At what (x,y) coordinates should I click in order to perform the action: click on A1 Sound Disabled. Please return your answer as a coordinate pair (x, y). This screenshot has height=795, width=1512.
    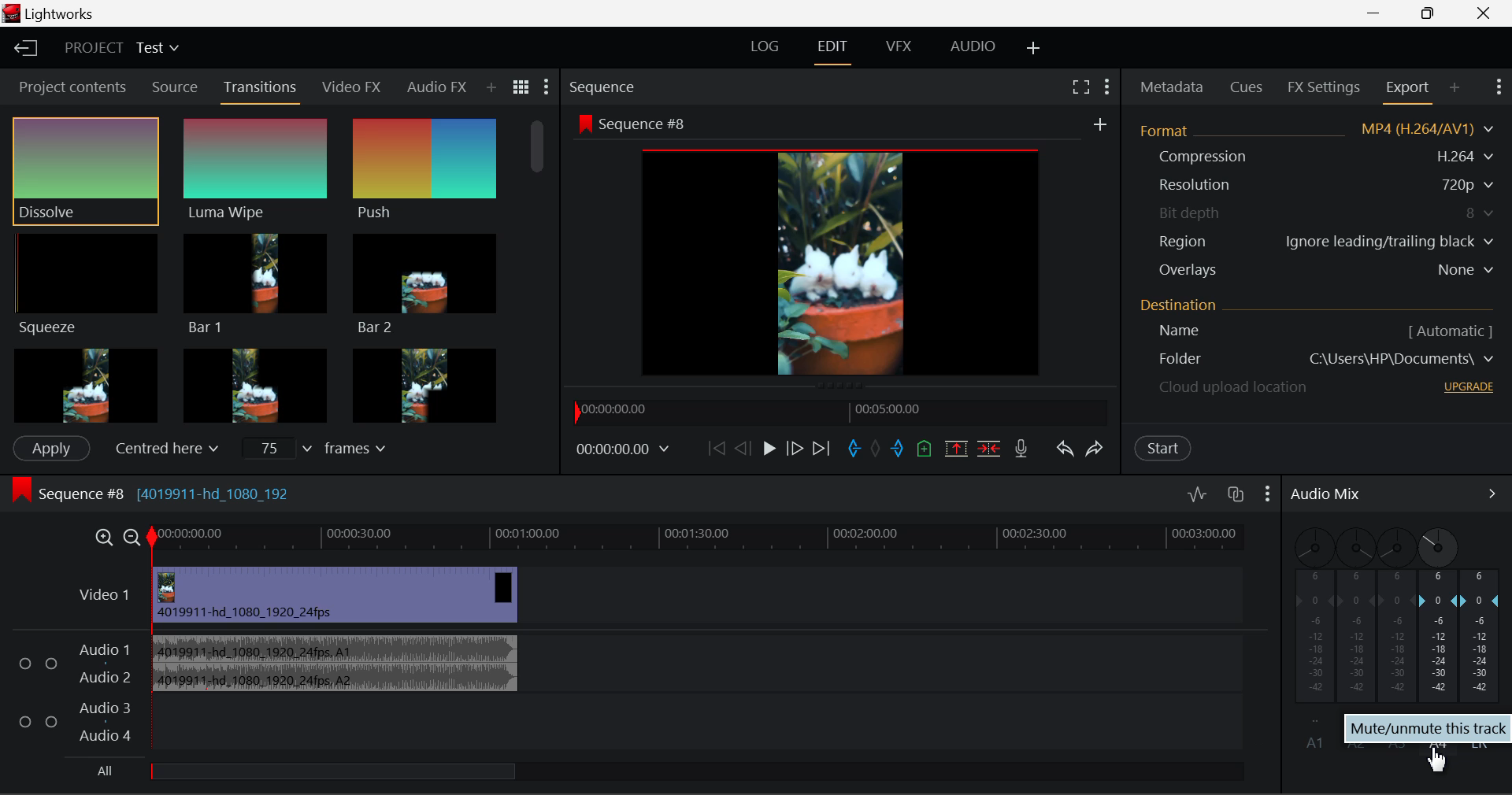
    Looking at the image, I should click on (1312, 638).